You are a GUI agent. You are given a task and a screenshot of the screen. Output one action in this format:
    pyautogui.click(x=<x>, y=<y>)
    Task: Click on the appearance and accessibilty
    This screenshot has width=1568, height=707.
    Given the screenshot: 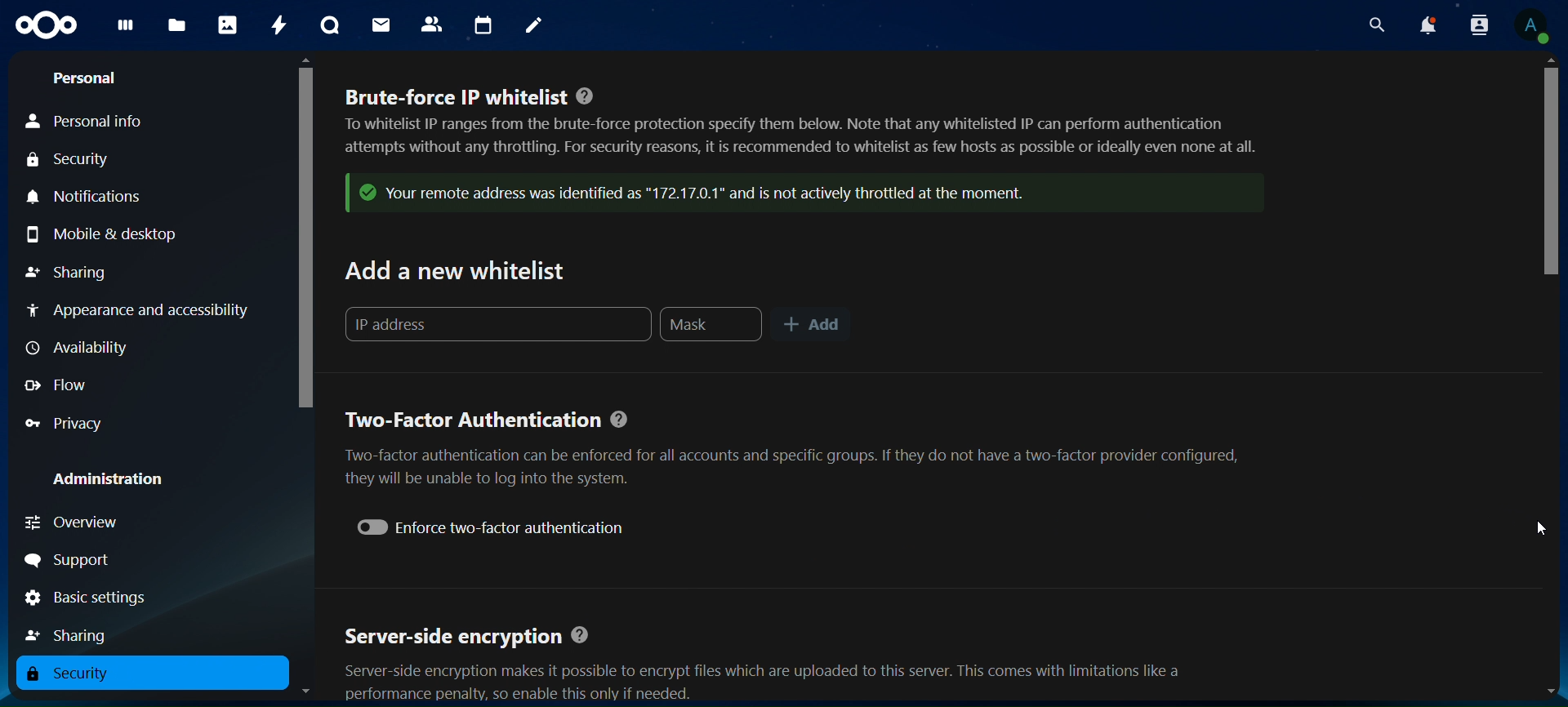 What is the action you would take?
    pyautogui.click(x=142, y=309)
    